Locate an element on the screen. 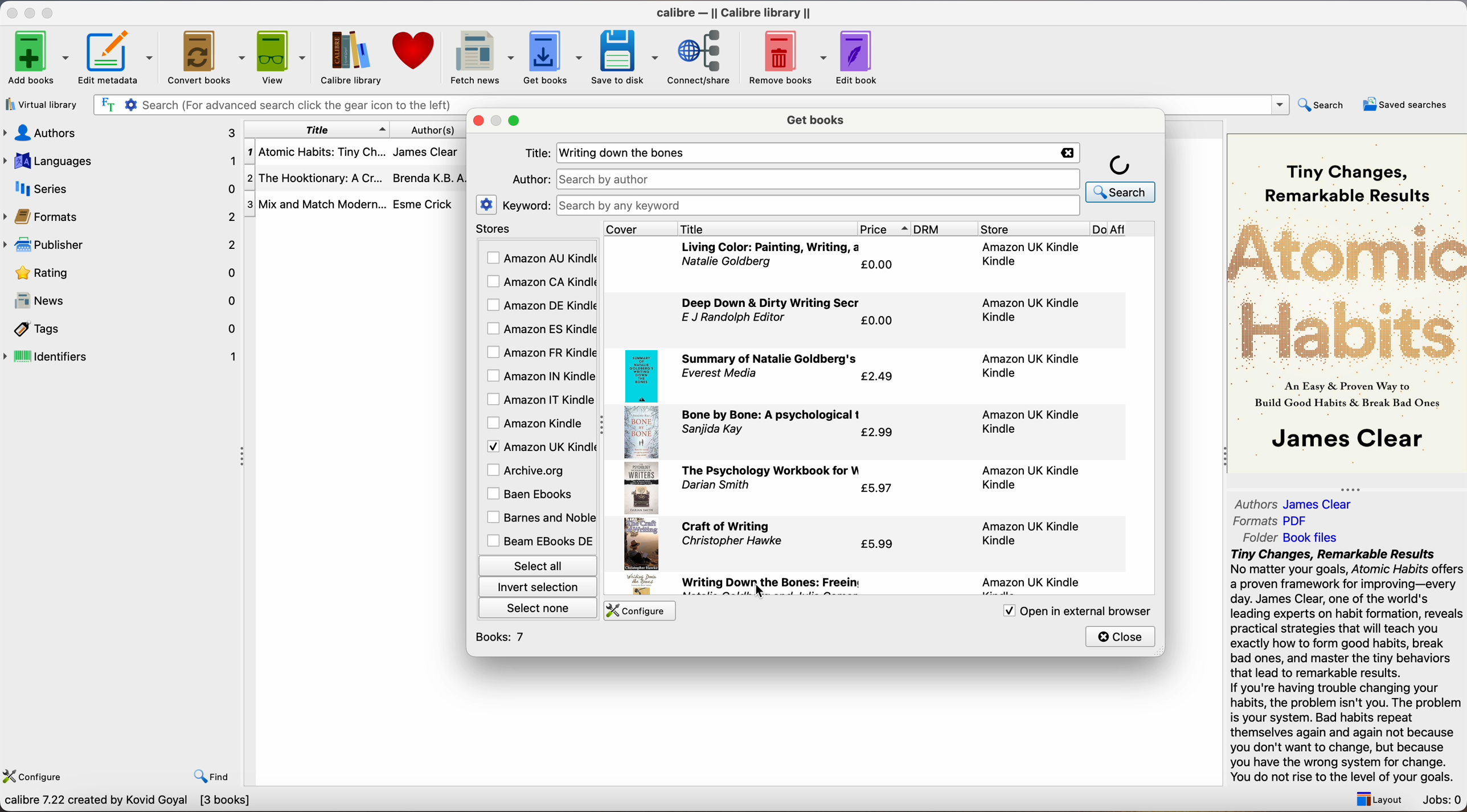 This screenshot has height=812, width=1467. maximize is located at coordinates (516, 121).